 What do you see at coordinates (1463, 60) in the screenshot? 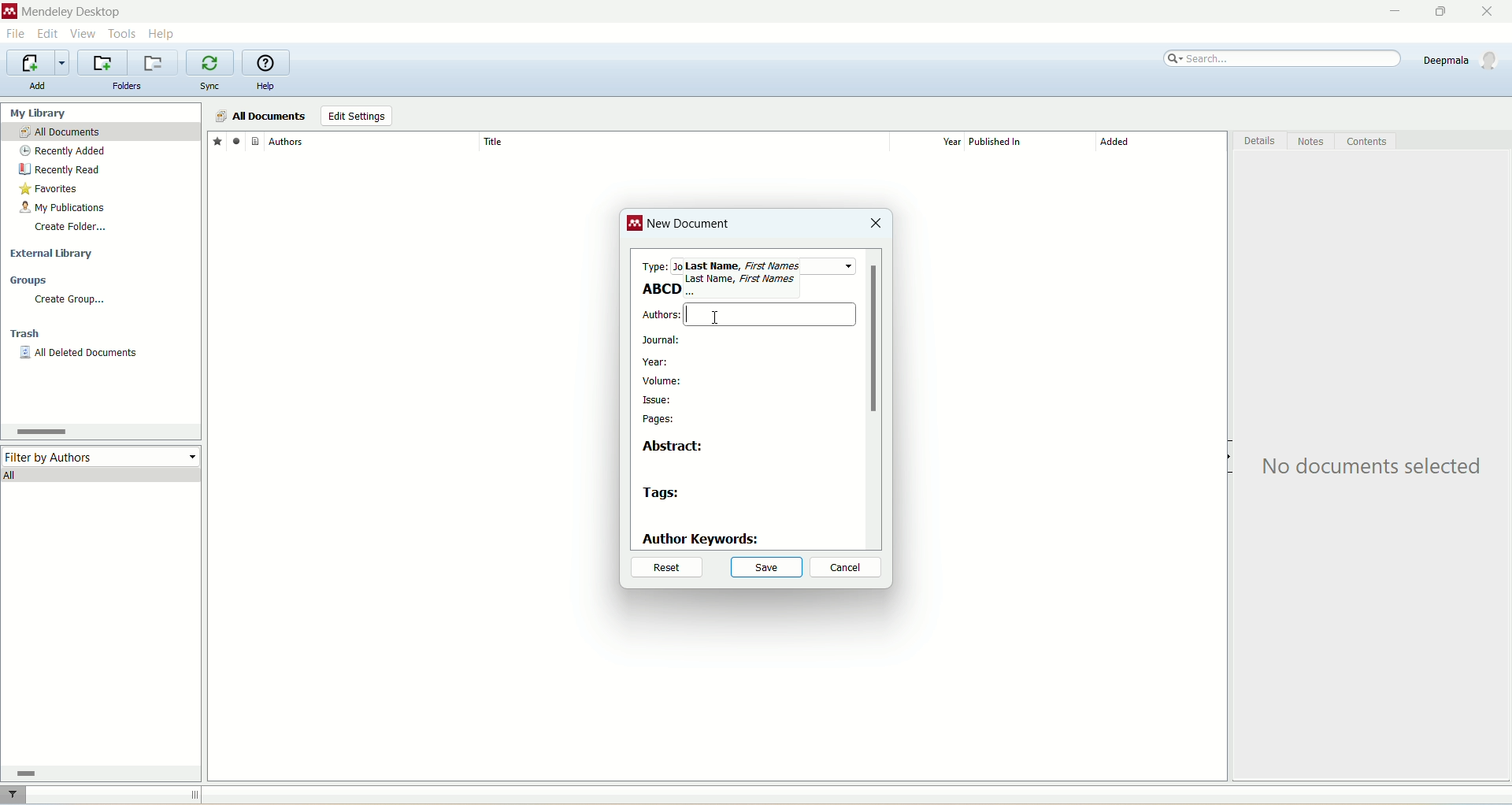
I see `account` at bounding box center [1463, 60].